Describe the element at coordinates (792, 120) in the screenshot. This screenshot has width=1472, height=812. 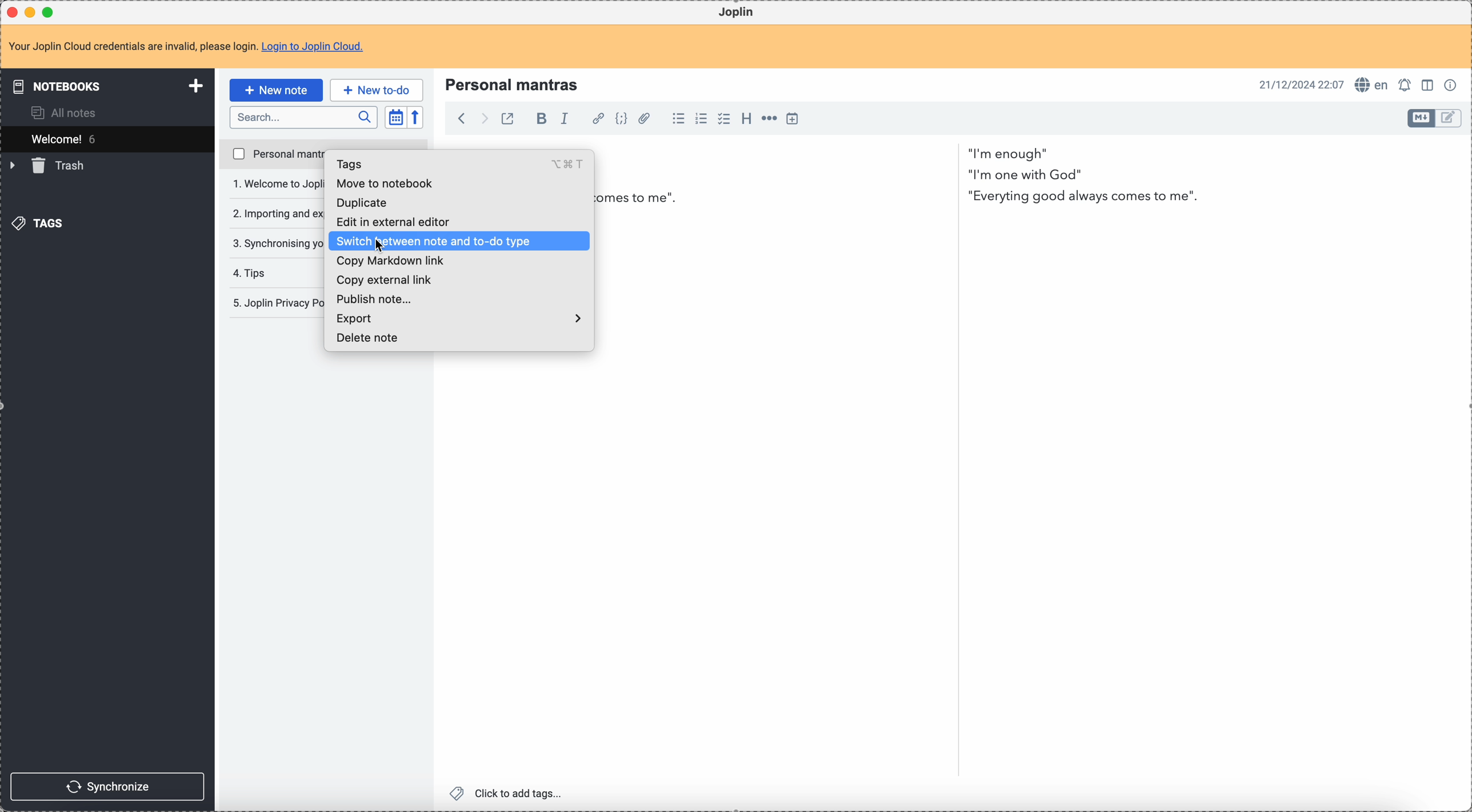
I see `insert time` at that location.